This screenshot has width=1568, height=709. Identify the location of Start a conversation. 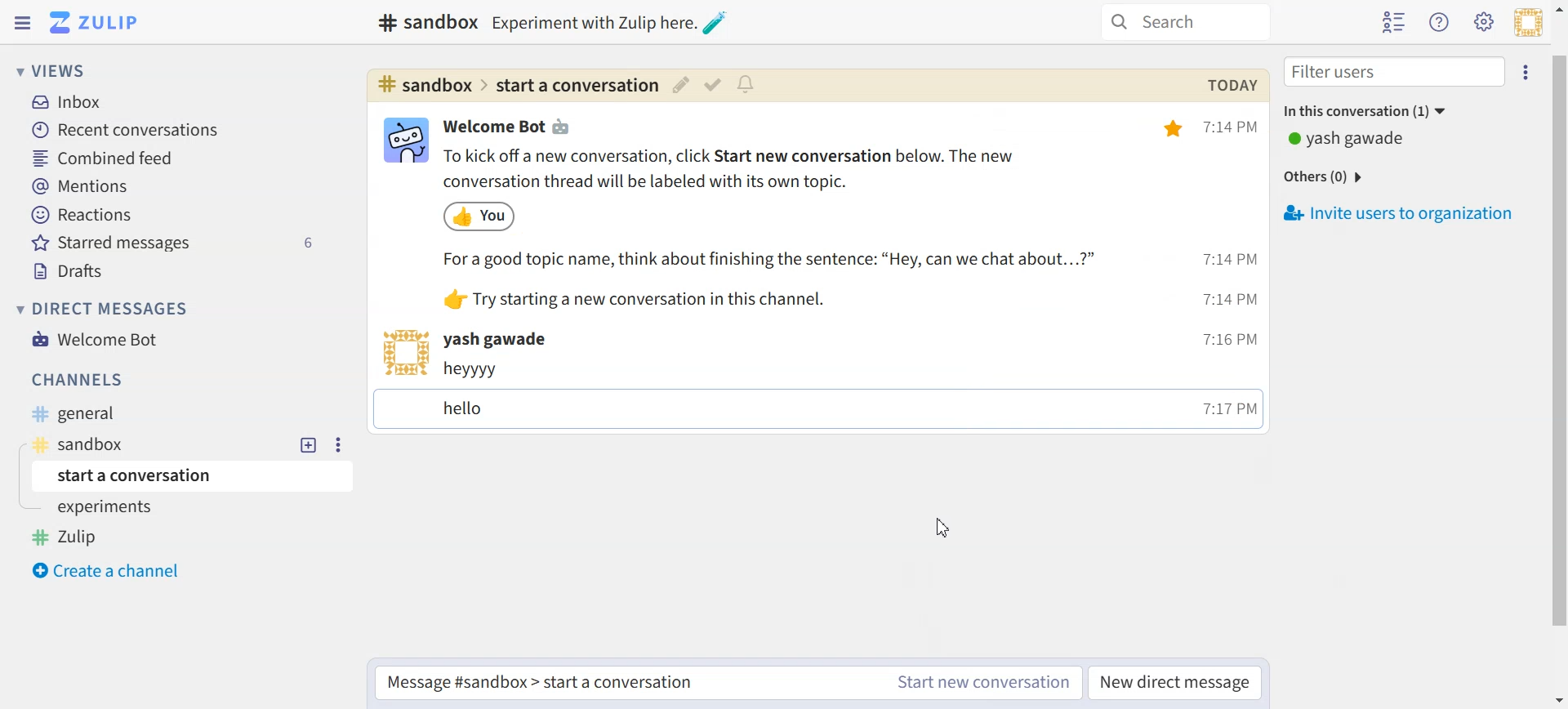
(624, 685).